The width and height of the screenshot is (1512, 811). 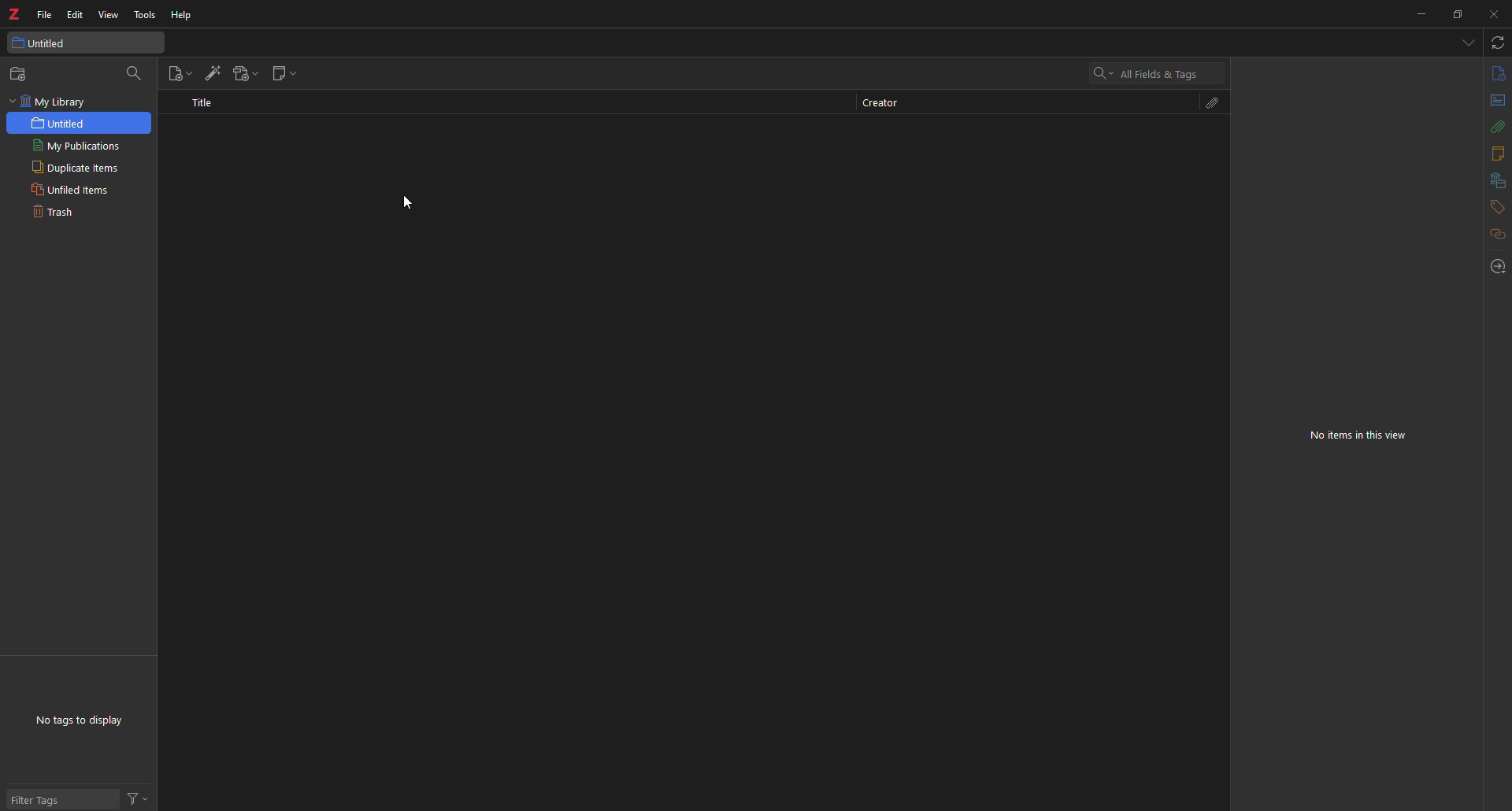 I want to click on libraries, so click(x=1494, y=180).